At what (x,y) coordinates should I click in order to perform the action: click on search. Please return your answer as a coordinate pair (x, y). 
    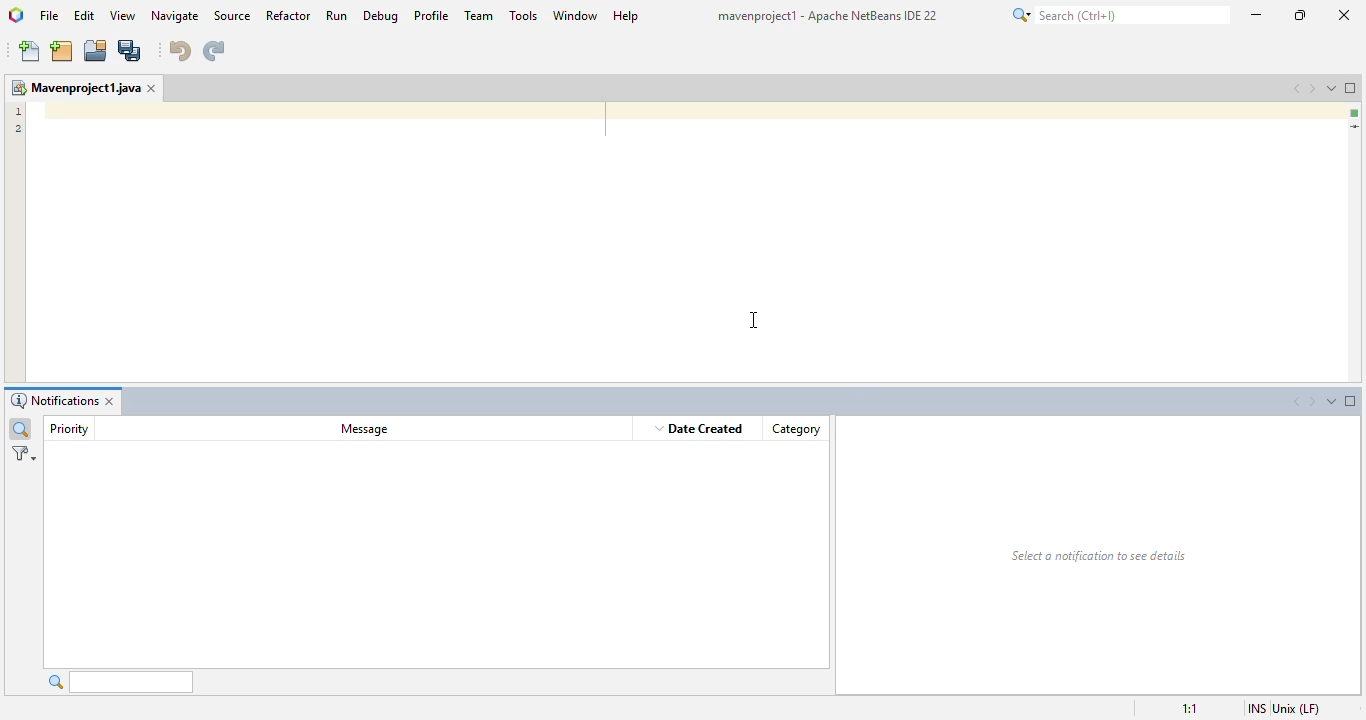
    Looking at the image, I should click on (120, 681).